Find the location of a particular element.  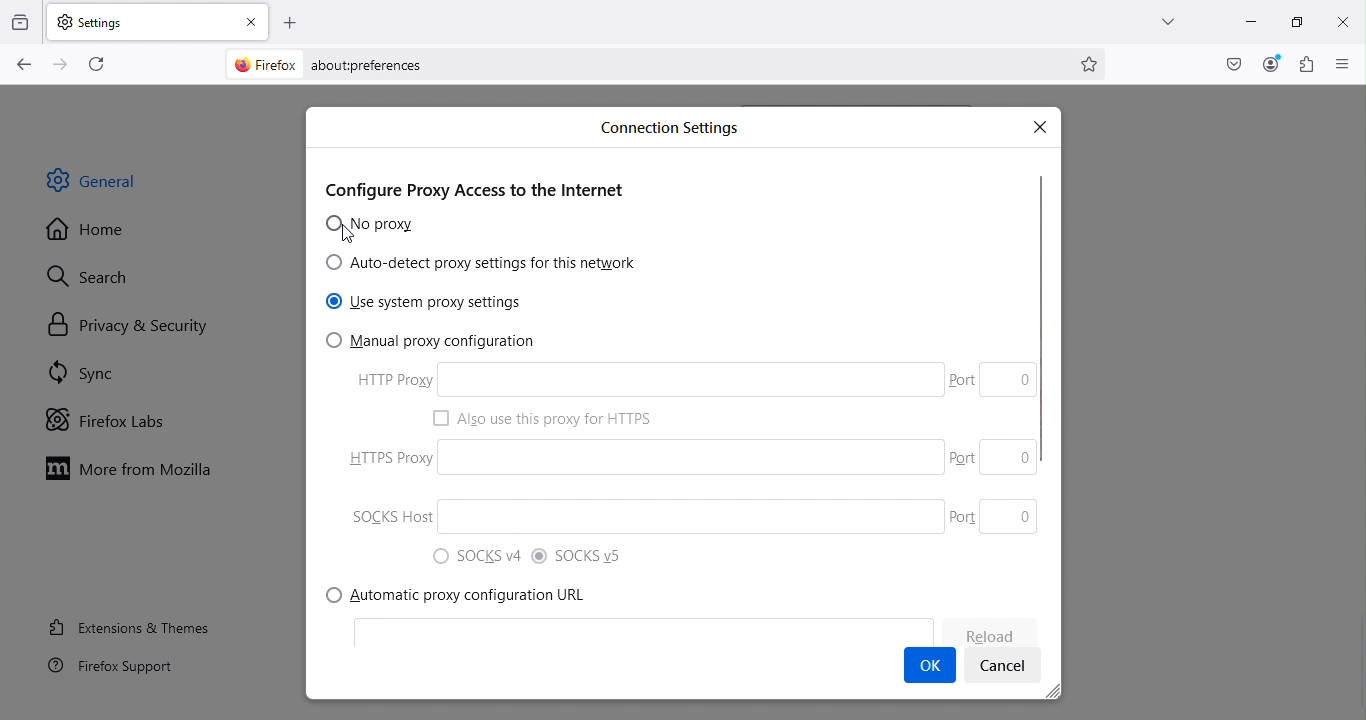

Manual proxy configuration is located at coordinates (428, 342).